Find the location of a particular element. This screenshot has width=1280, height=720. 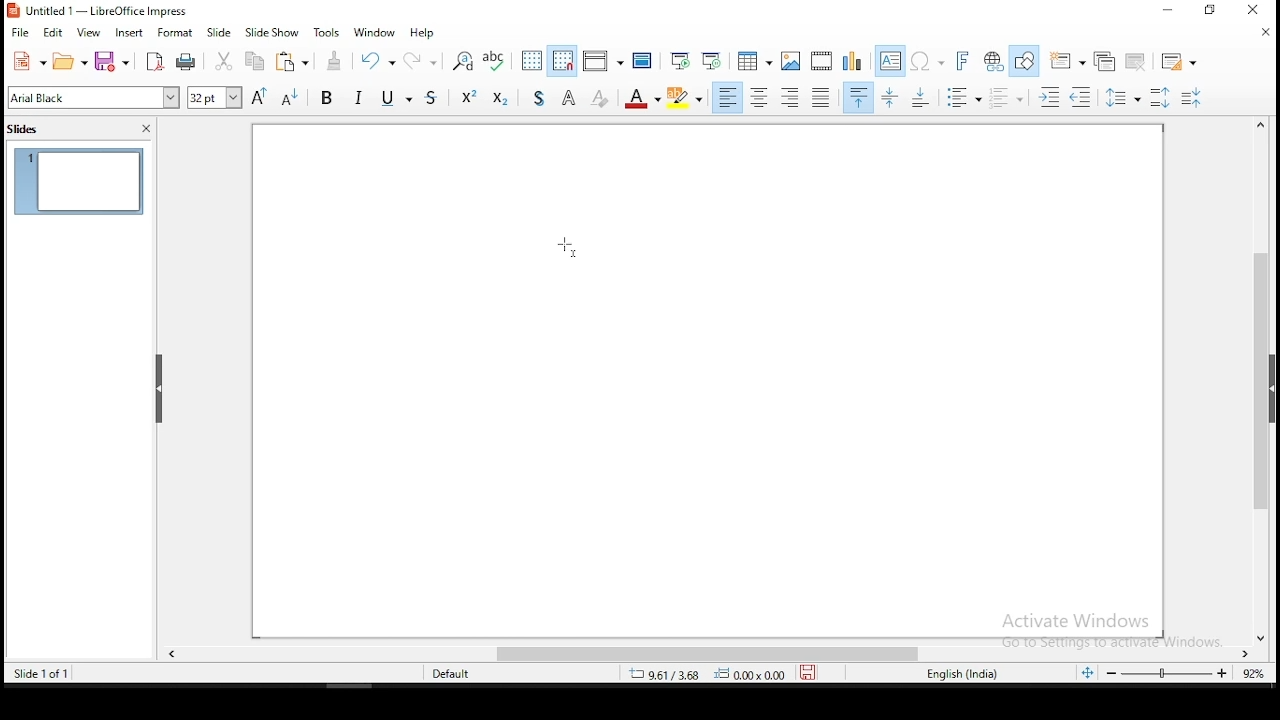

close is located at coordinates (146, 129).